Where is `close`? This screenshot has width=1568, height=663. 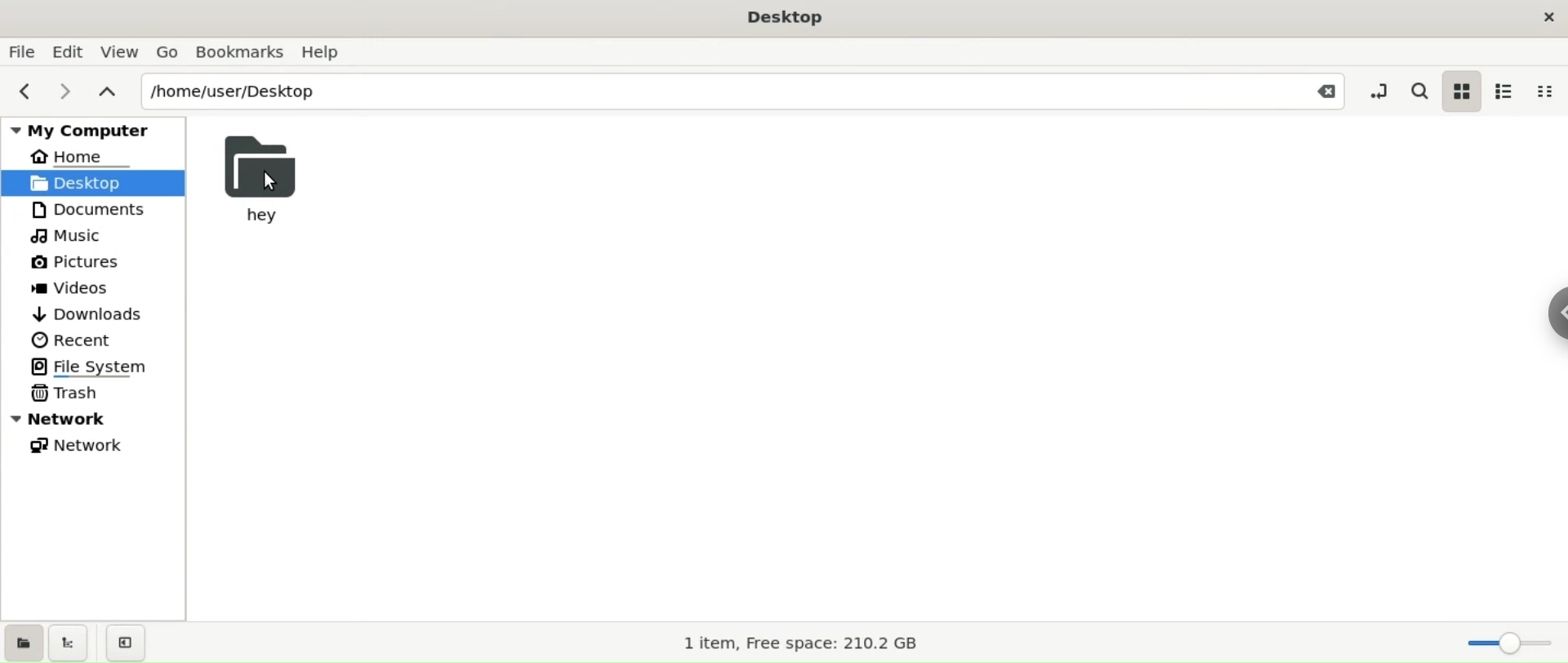 close is located at coordinates (1538, 18).